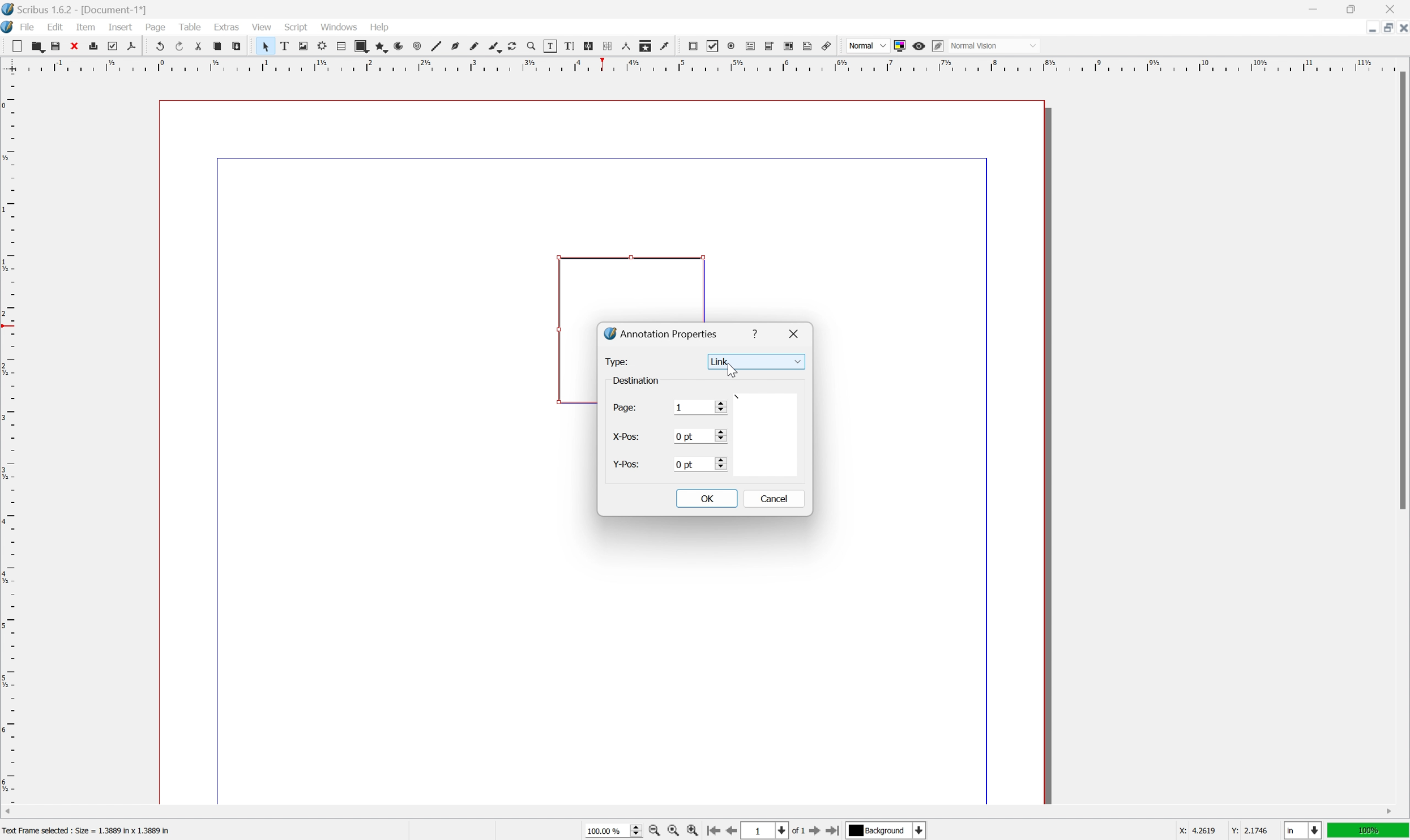  What do you see at coordinates (16, 46) in the screenshot?
I see `new` at bounding box center [16, 46].